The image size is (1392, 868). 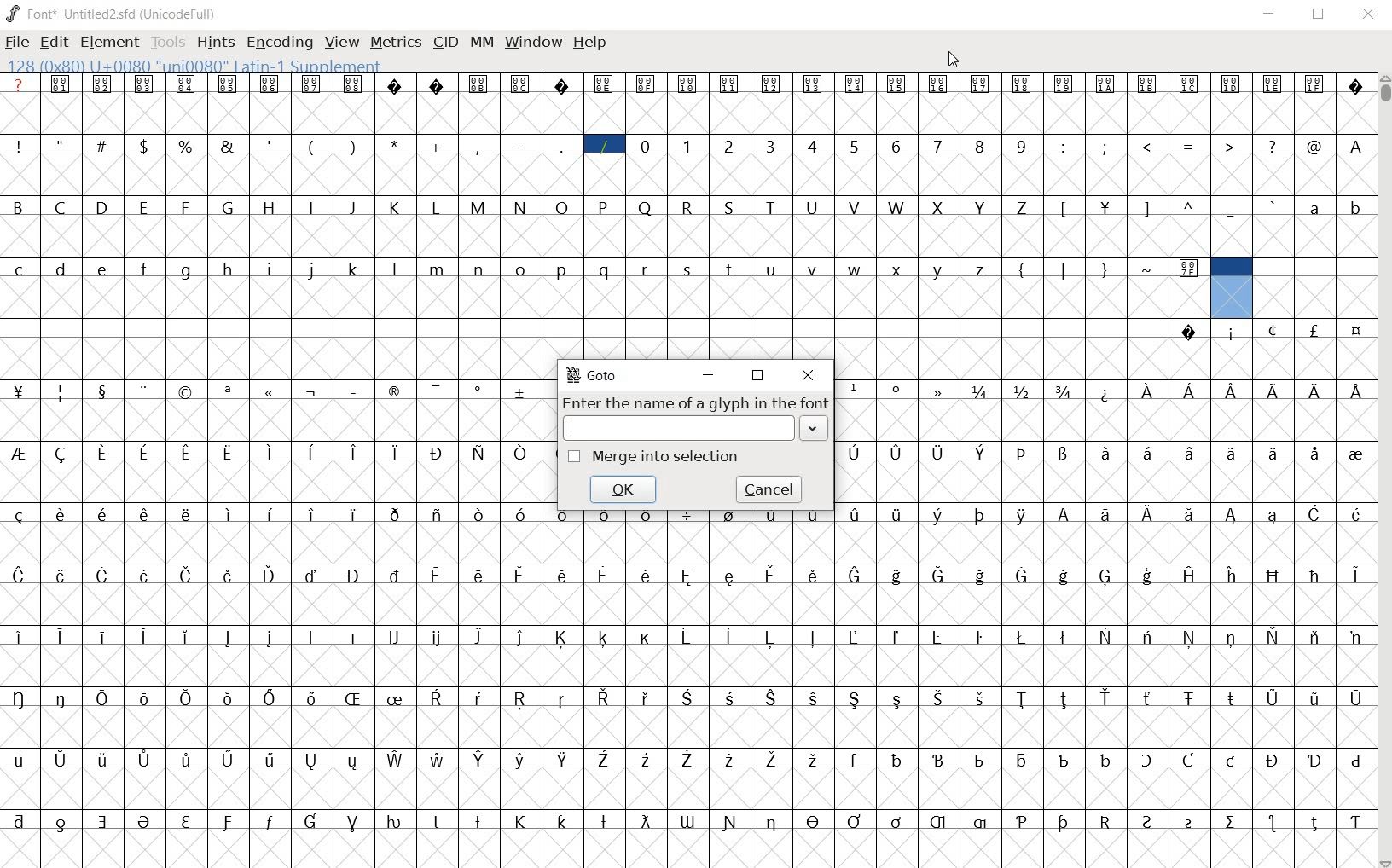 I want to click on Symbol, so click(x=106, y=697).